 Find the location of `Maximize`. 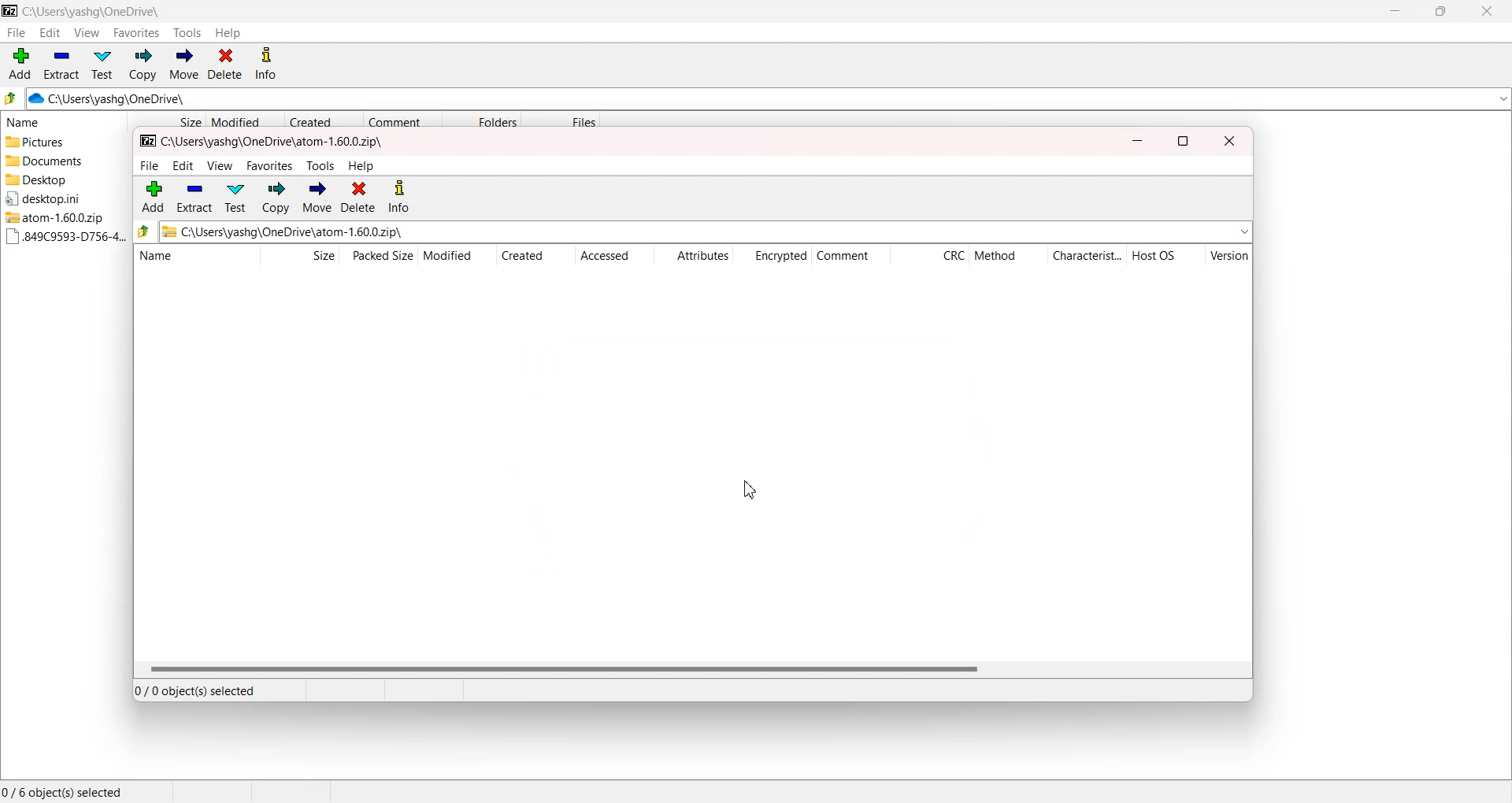

Maximize is located at coordinates (1440, 11).